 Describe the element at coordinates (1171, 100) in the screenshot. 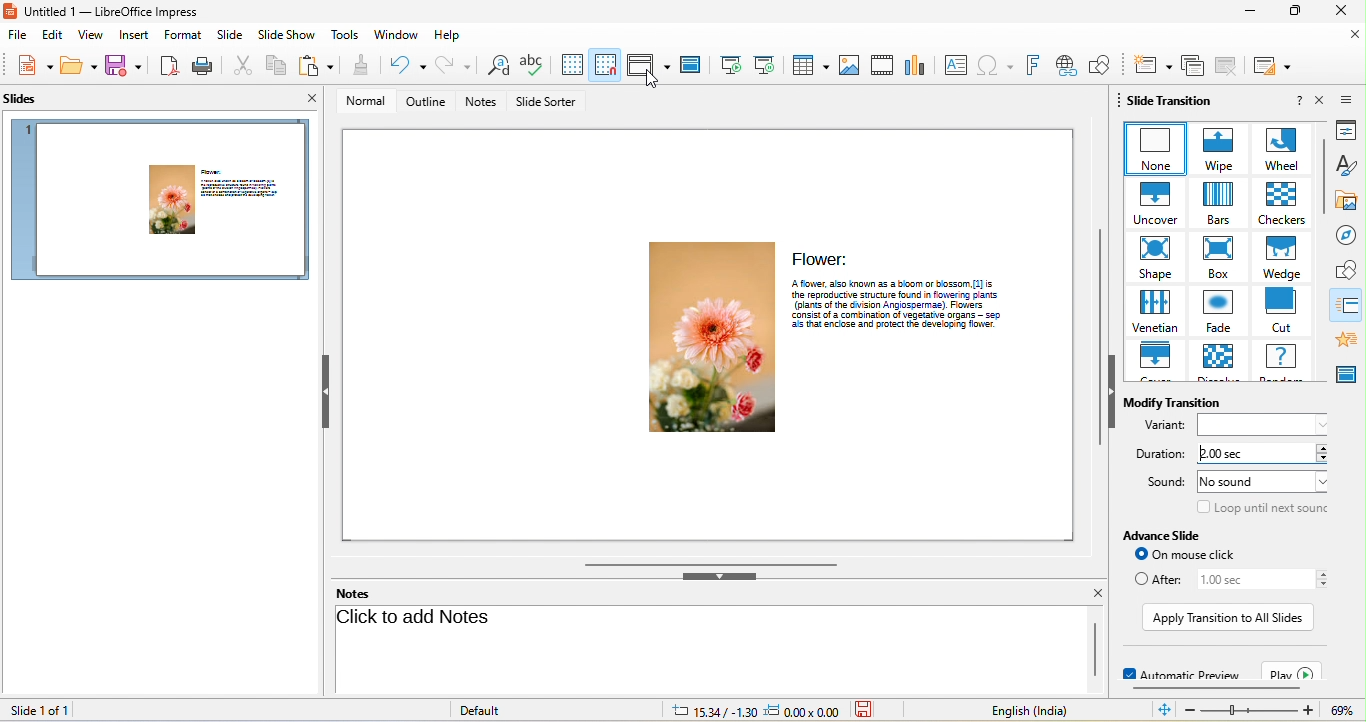

I see `slide transition` at that location.